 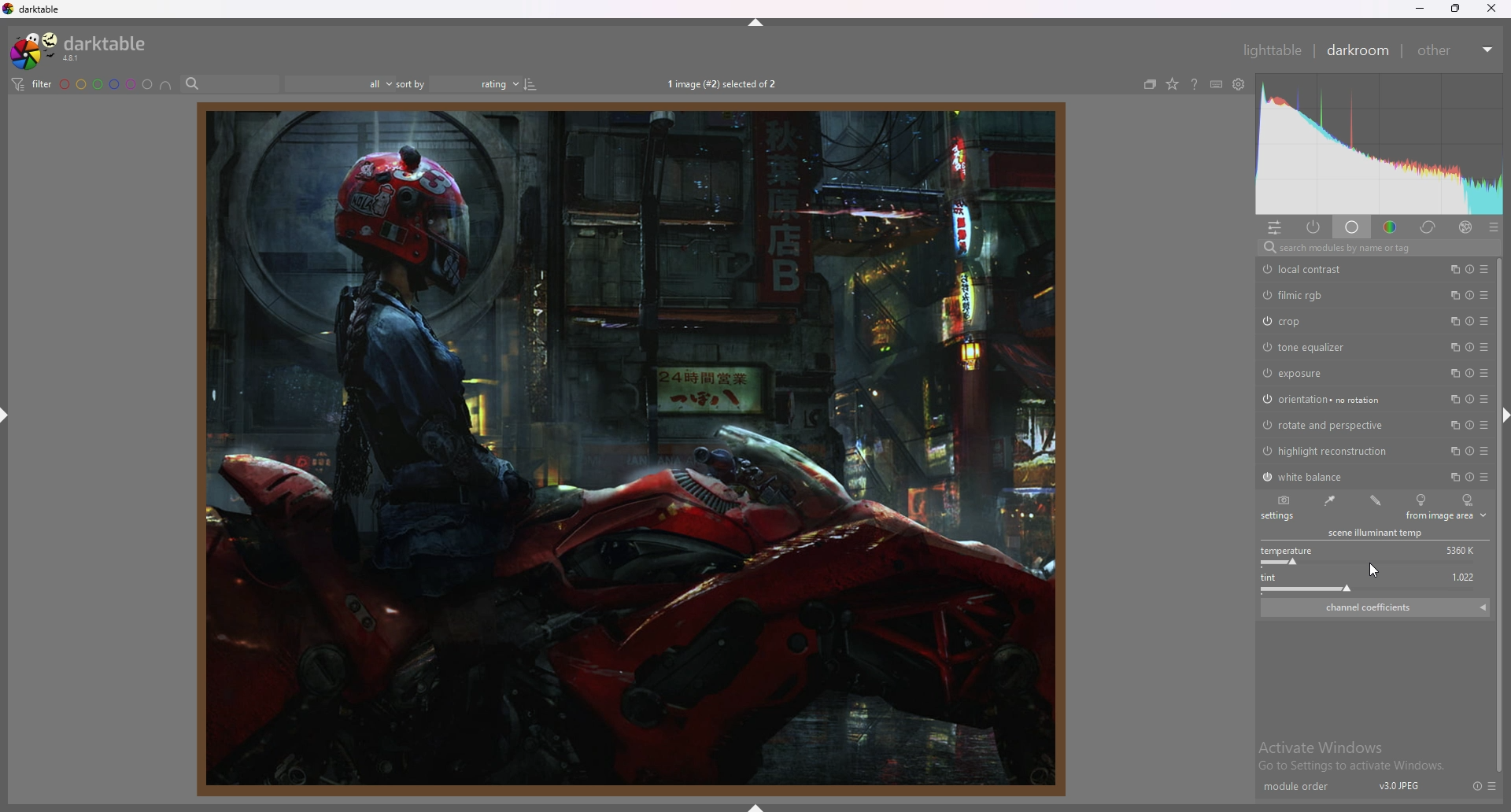 I want to click on minimize, so click(x=1418, y=9).